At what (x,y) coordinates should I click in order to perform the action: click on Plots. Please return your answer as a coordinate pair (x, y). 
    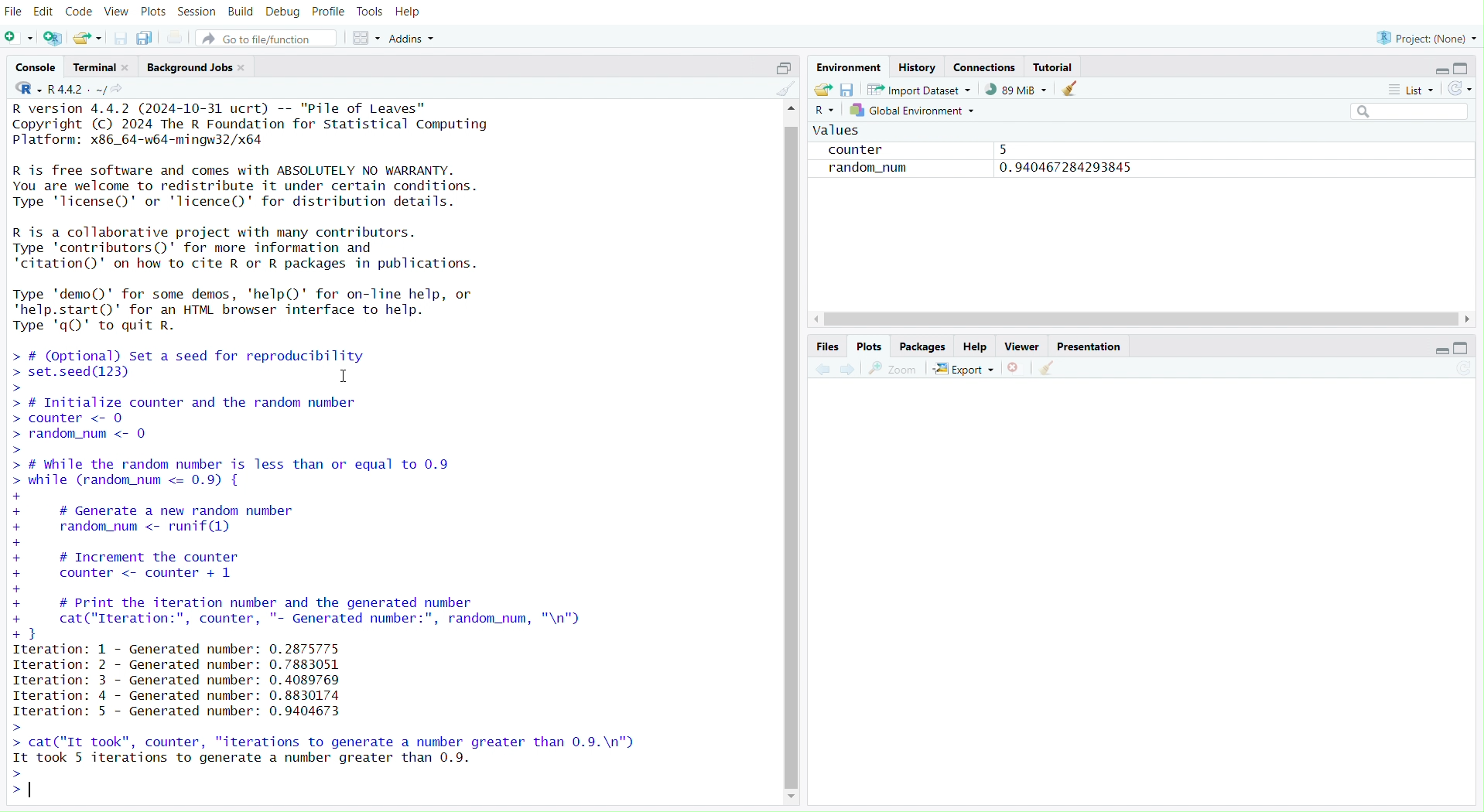
    Looking at the image, I should click on (150, 12).